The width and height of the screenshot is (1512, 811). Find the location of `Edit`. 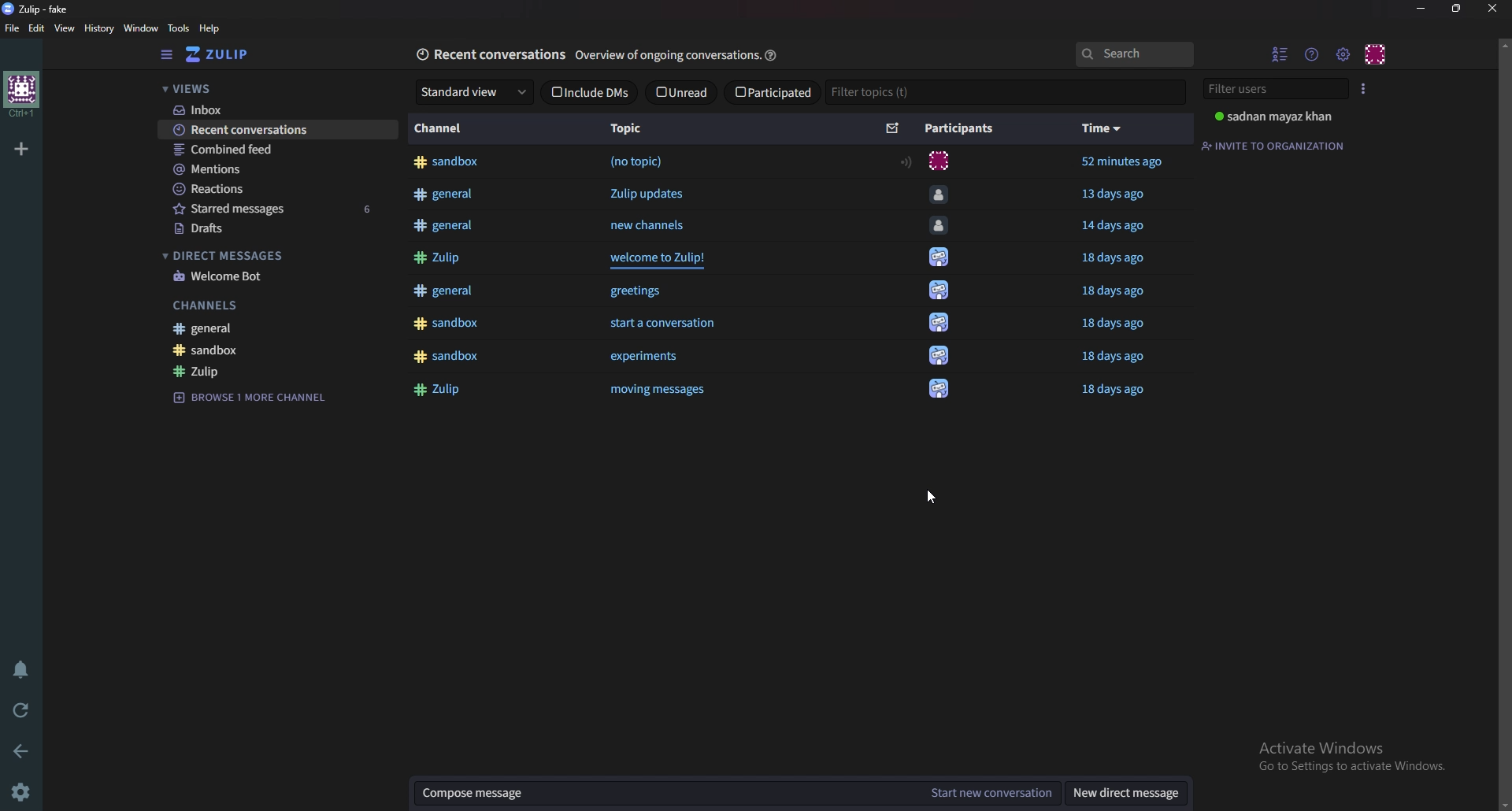

Edit is located at coordinates (38, 29).